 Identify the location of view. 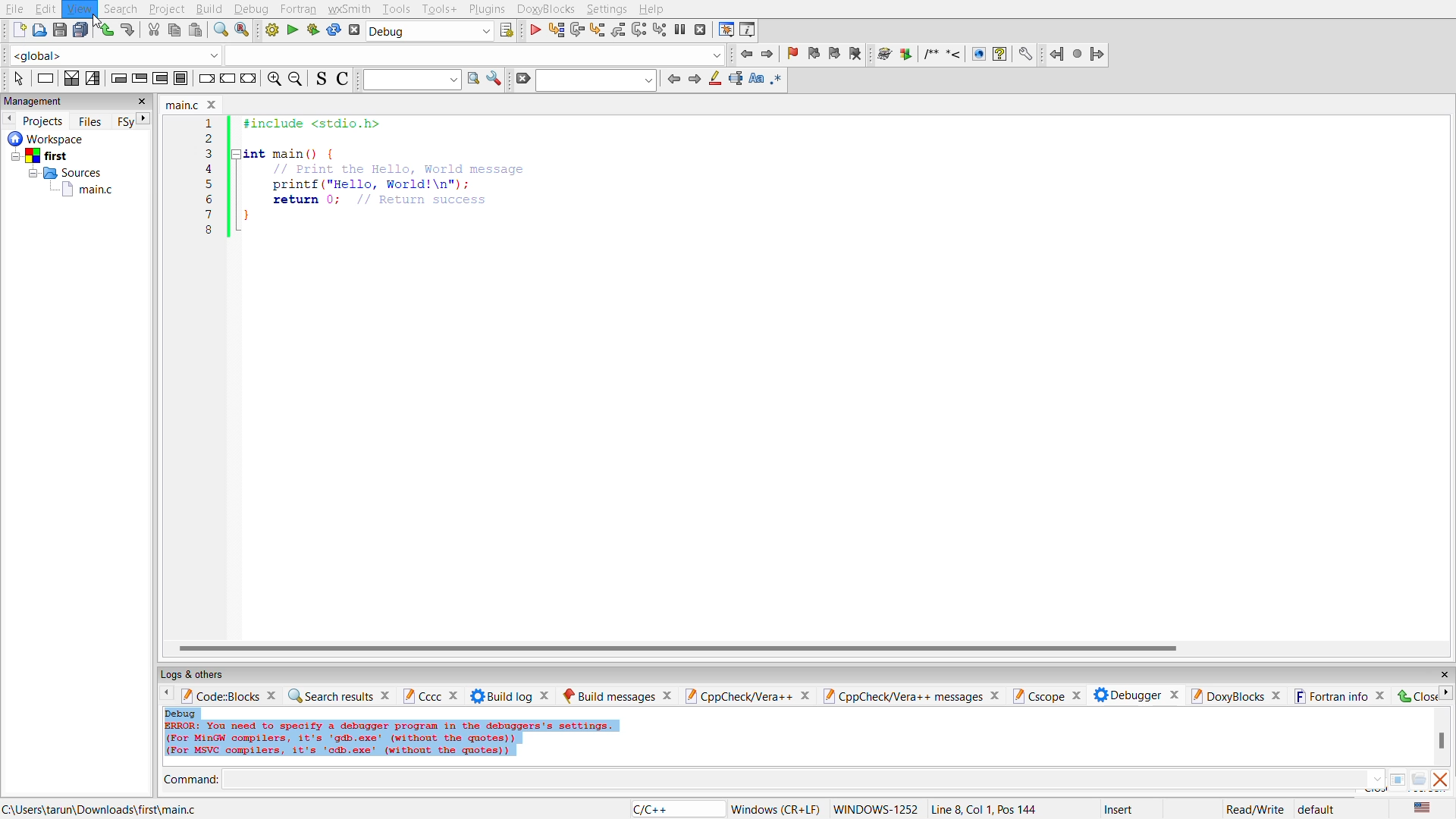
(80, 9).